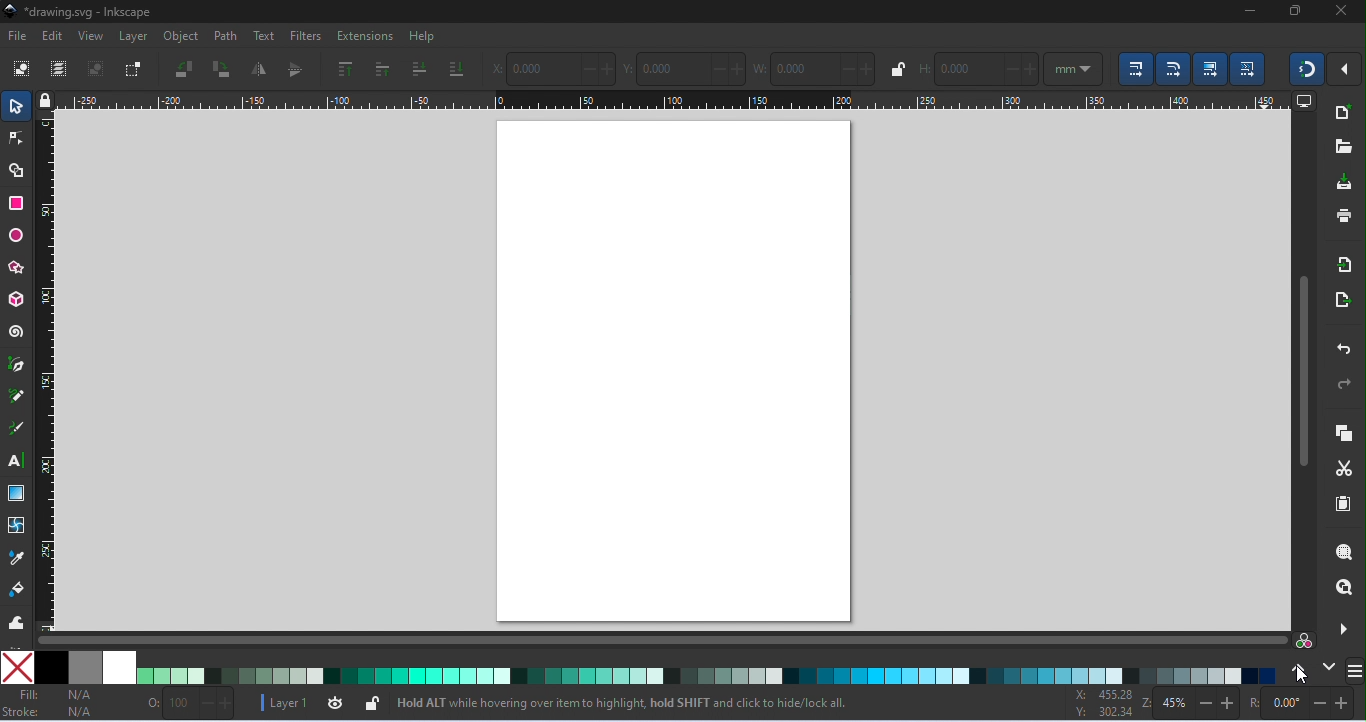  Describe the element at coordinates (16, 524) in the screenshot. I see `mesh` at that location.